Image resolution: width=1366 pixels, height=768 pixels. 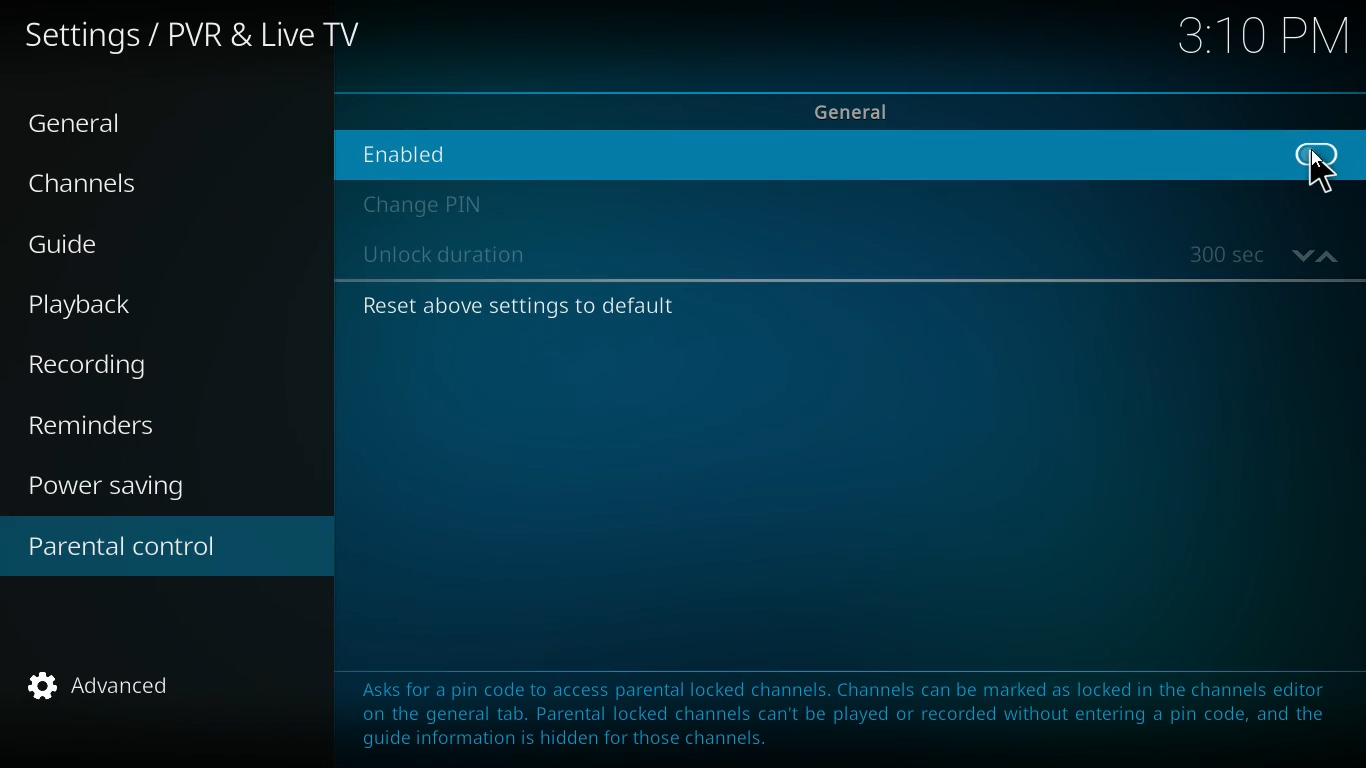 What do you see at coordinates (198, 39) in the screenshot?
I see `settings` at bounding box center [198, 39].